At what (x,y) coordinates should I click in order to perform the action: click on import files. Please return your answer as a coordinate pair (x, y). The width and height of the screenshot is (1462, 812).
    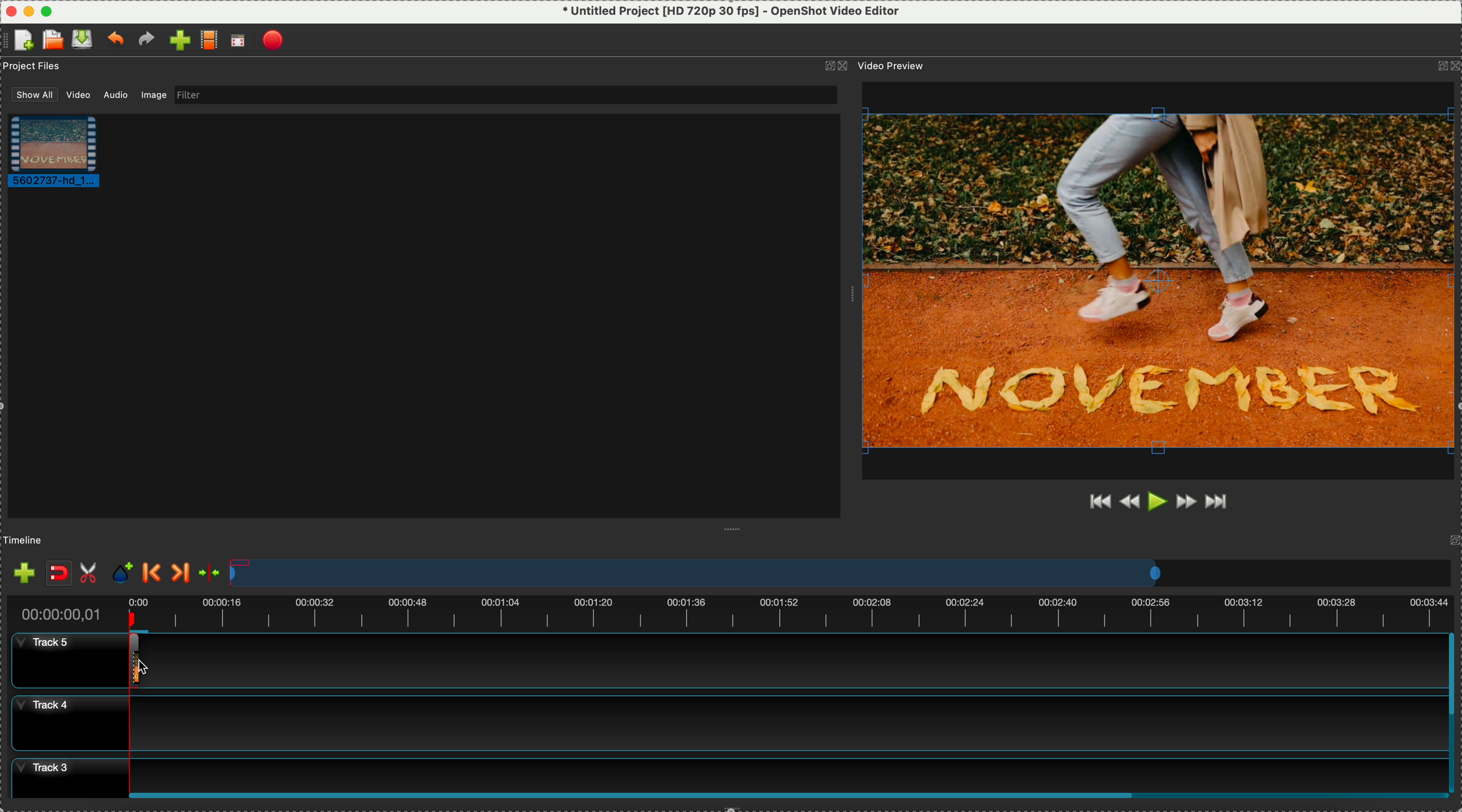
    Looking at the image, I should click on (21, 570).